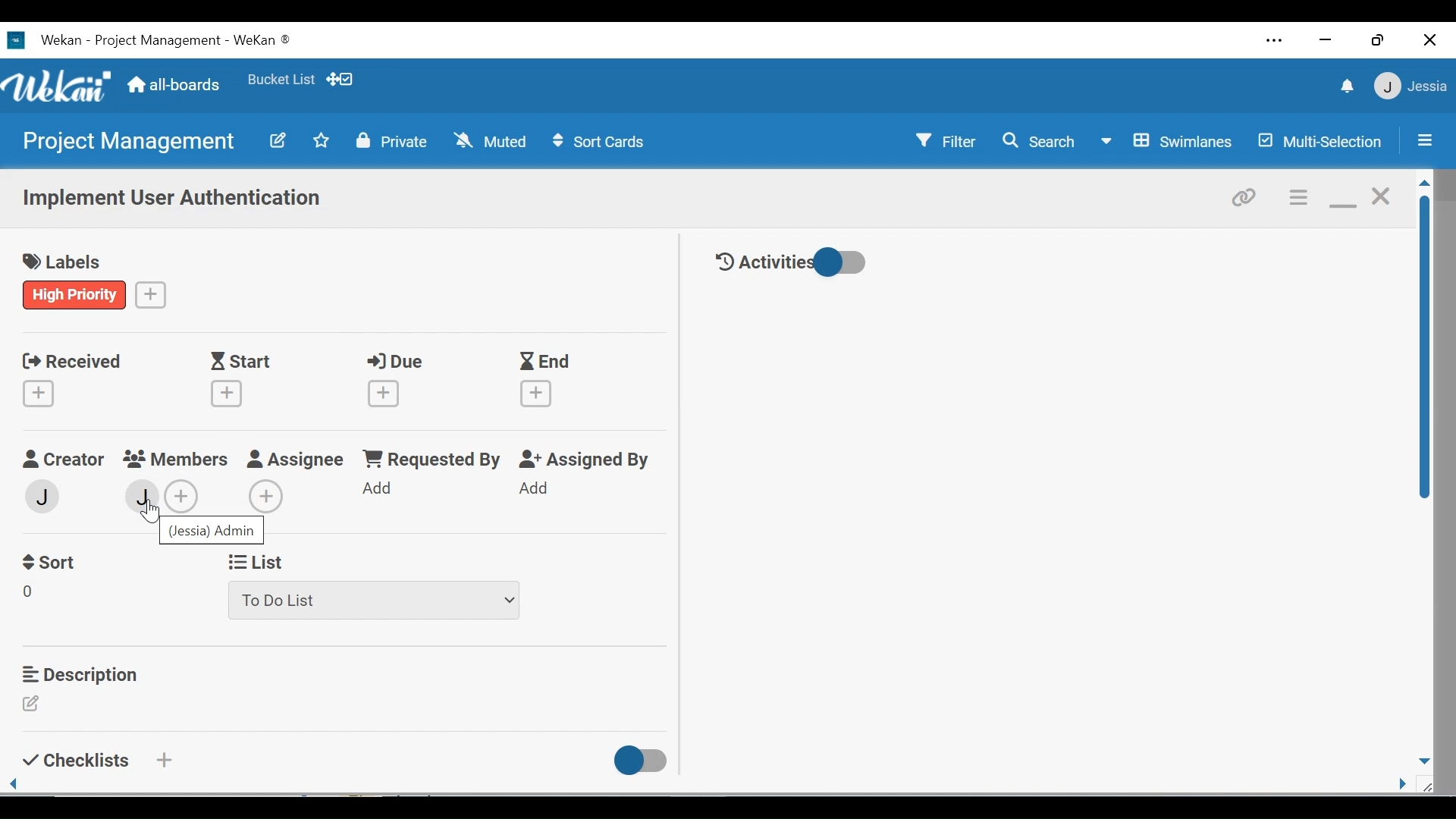  Describe the element at coordinates (1423, 761) in the screenshot. I see `move down` at that location.